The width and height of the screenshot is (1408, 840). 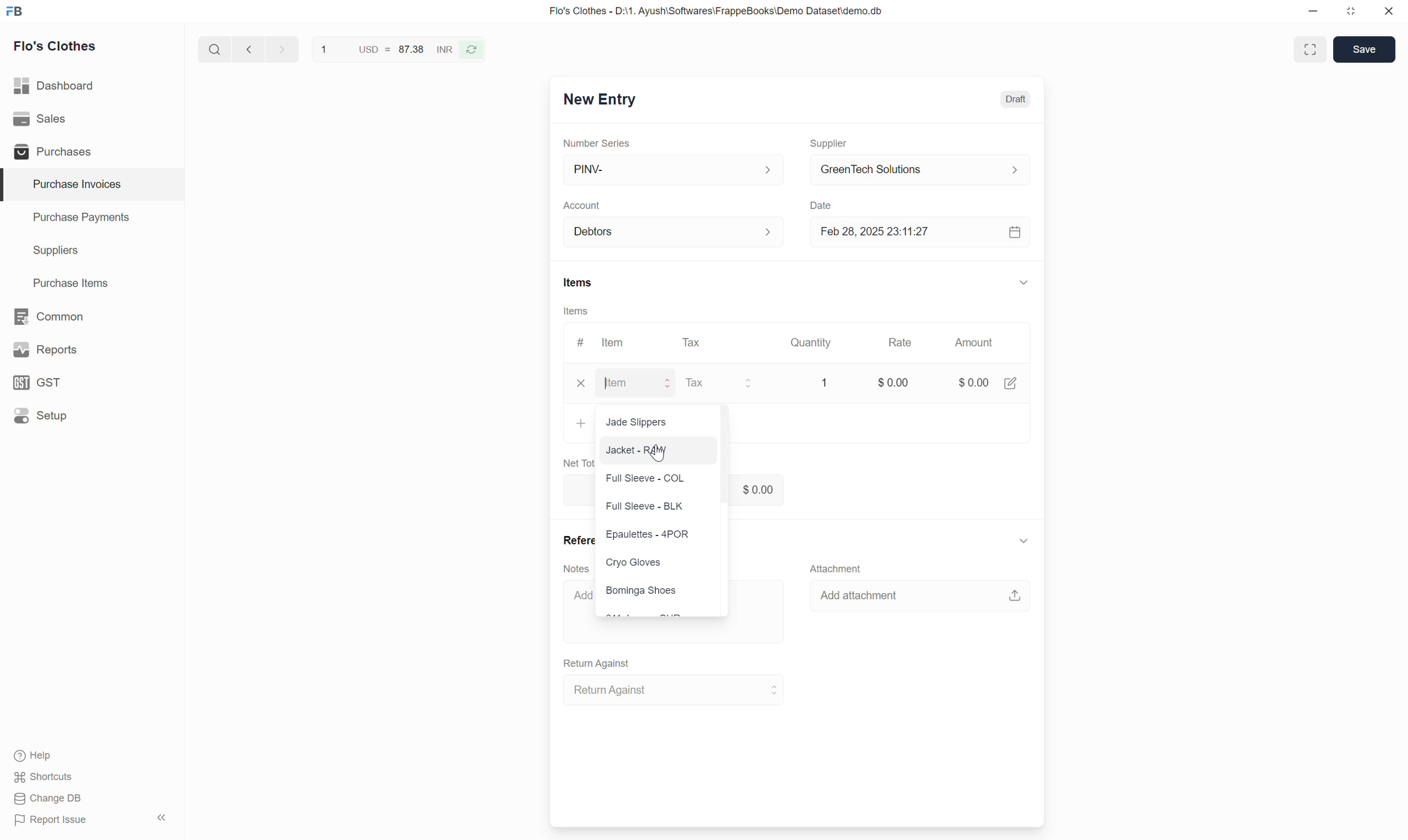 I want to click on Attachment, so click(x=836, y=568).